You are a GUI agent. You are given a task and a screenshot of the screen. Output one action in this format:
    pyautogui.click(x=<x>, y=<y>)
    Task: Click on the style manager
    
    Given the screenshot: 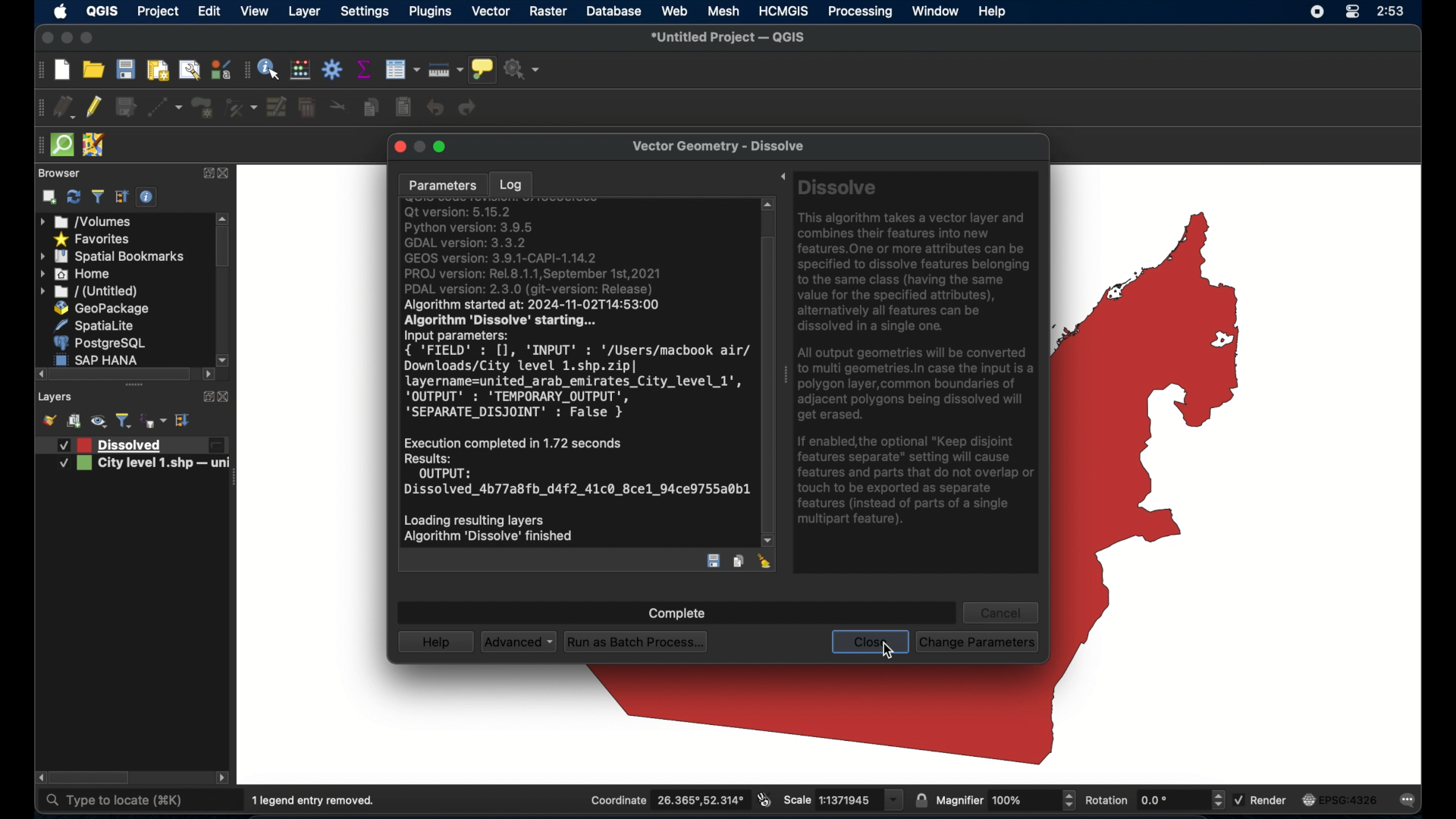 What is the action you would take?
    pyautogui.click(x=219, y=69)
    